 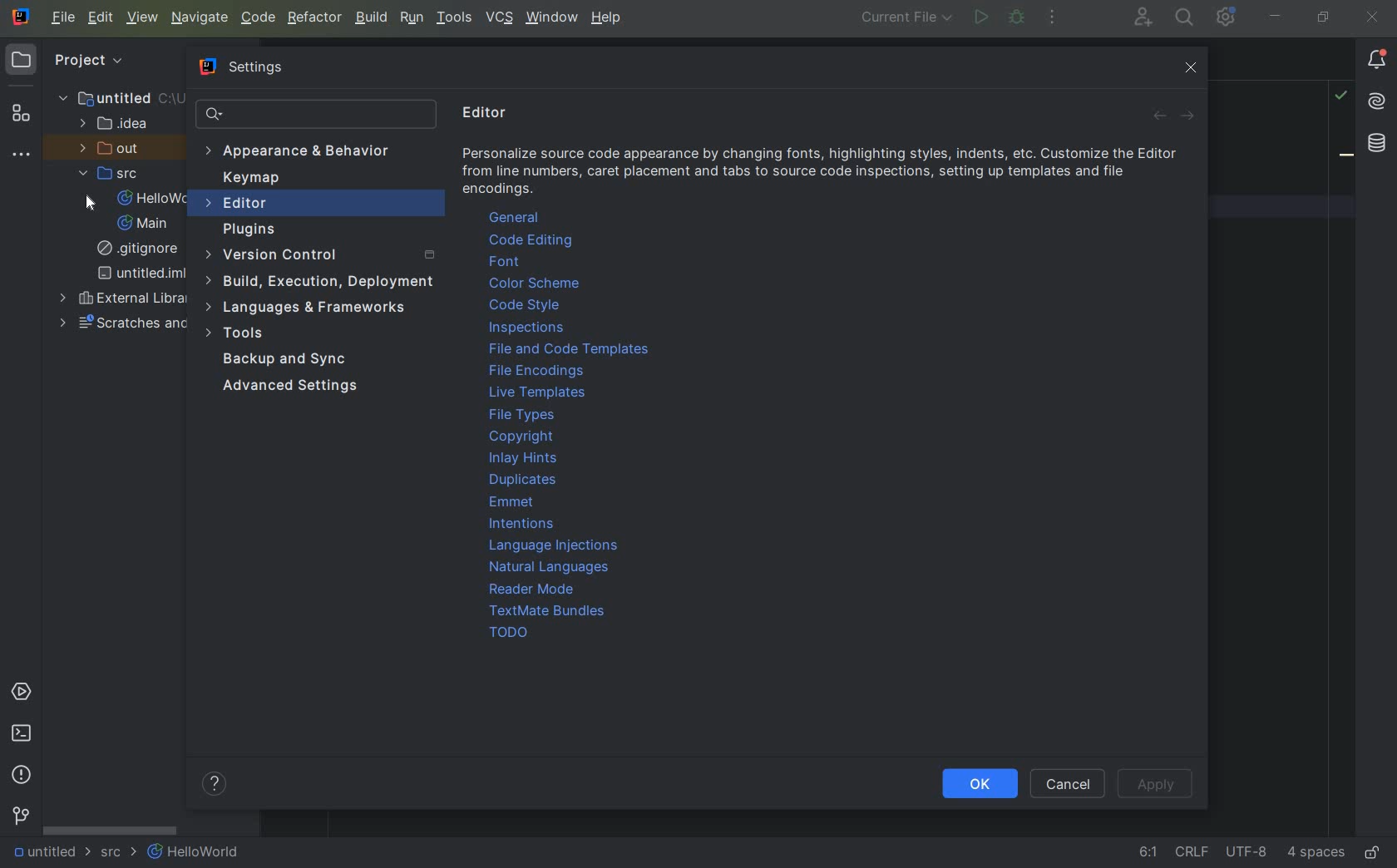 What do you see at coordinates (1324, 18) in the screenshot?
I see `restore down` at bounding box center [1324, 18].